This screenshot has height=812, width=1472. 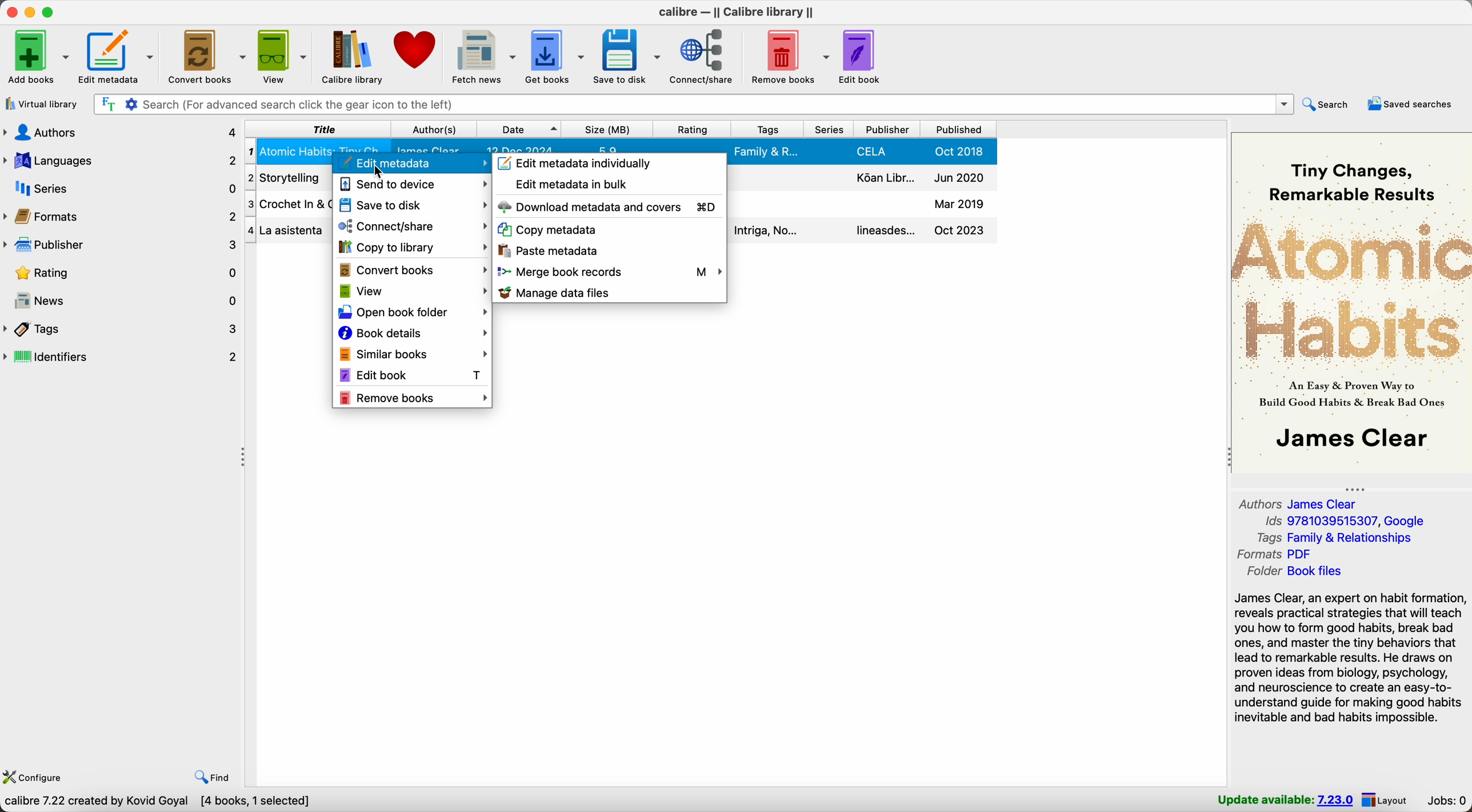 I want to click on book details, so click(x=414, y=332).